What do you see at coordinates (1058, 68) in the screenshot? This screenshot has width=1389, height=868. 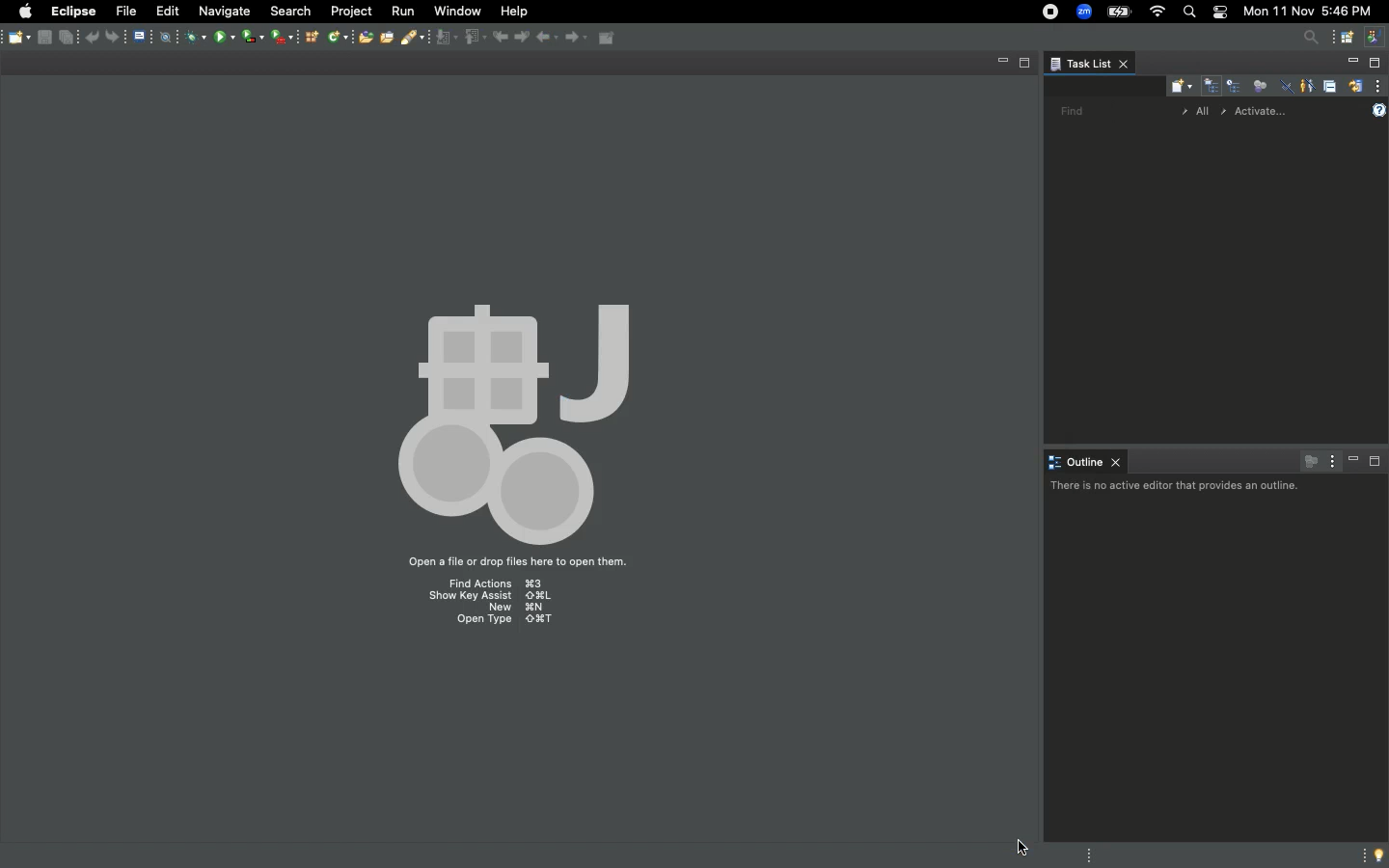 I see `View menu` at bounding box center [1058, 68].